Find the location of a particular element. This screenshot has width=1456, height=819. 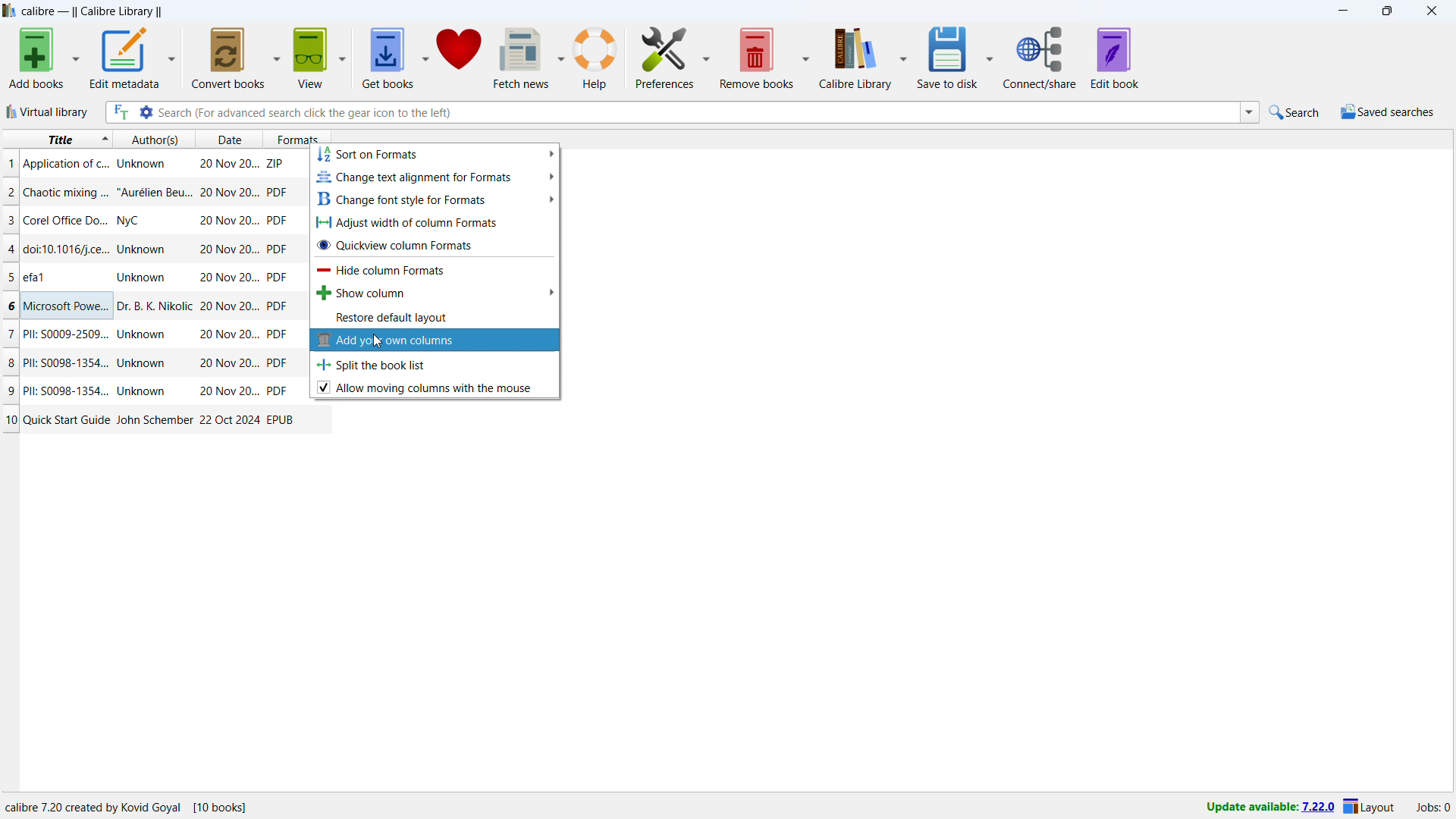

date is located at coordinates (230, 308).